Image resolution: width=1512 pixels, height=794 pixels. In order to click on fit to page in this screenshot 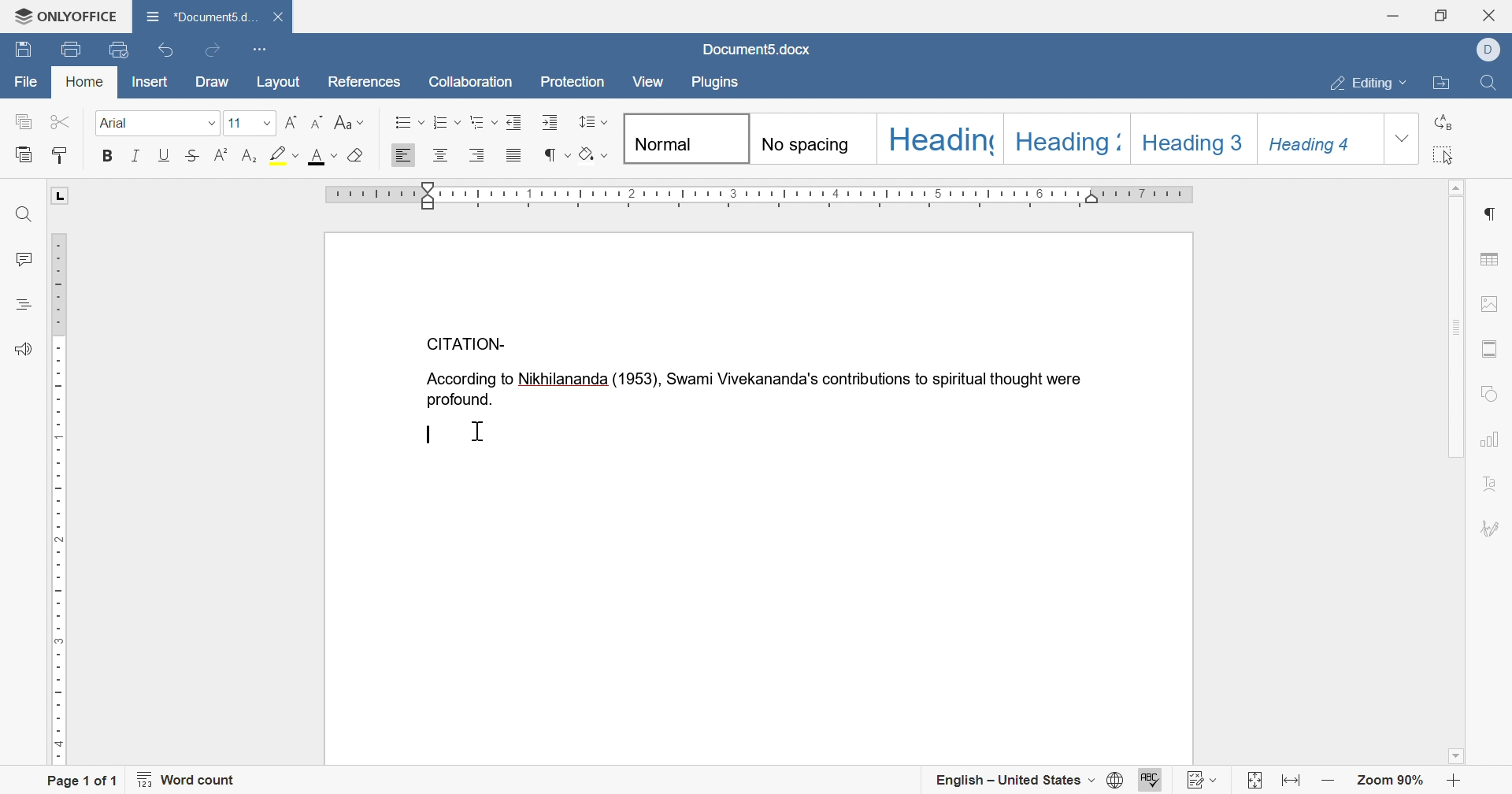, I will do `click(1255, 781)`.